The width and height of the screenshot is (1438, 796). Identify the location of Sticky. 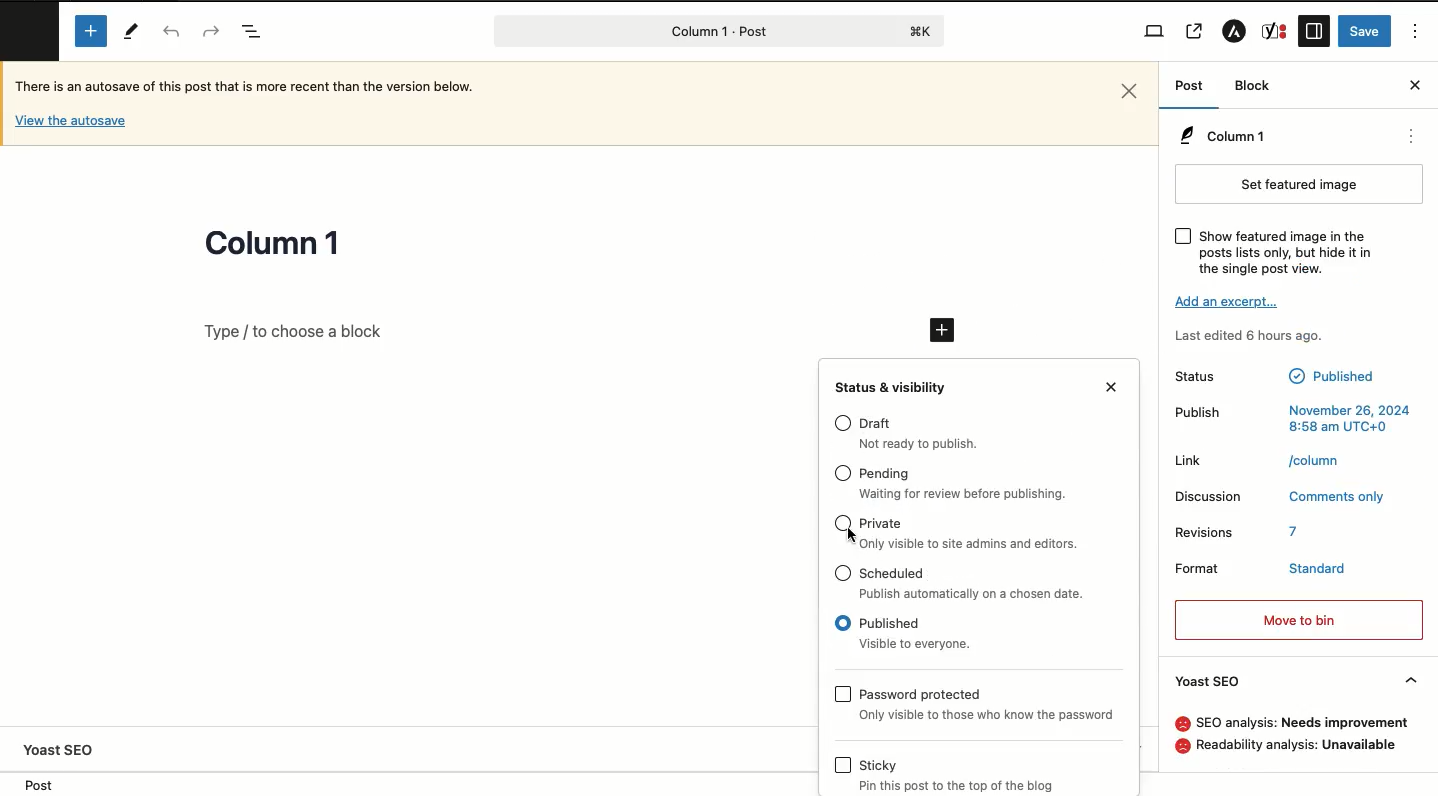
(877, 765).